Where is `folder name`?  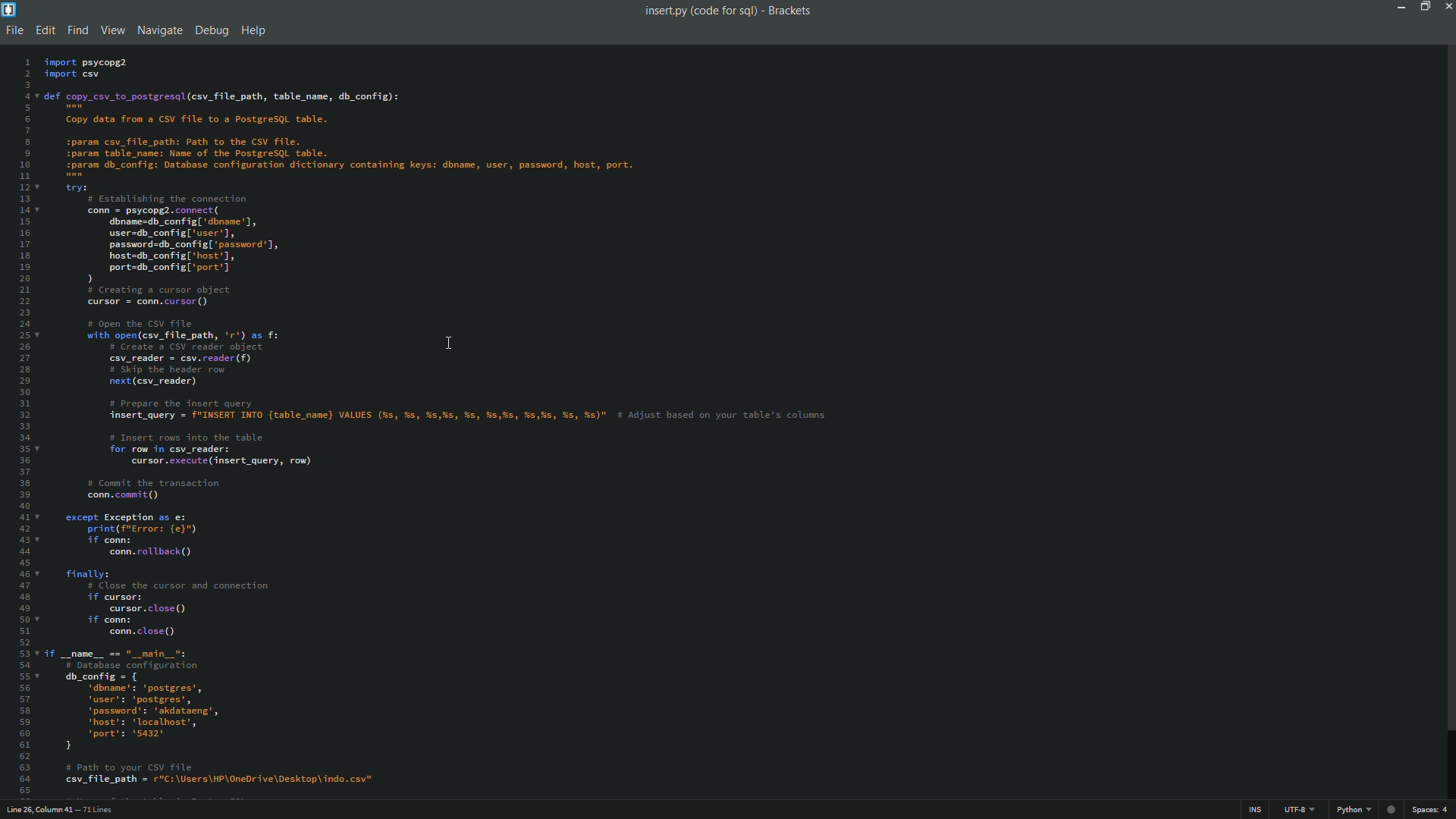 folder name is located at coordinates (724, 11).